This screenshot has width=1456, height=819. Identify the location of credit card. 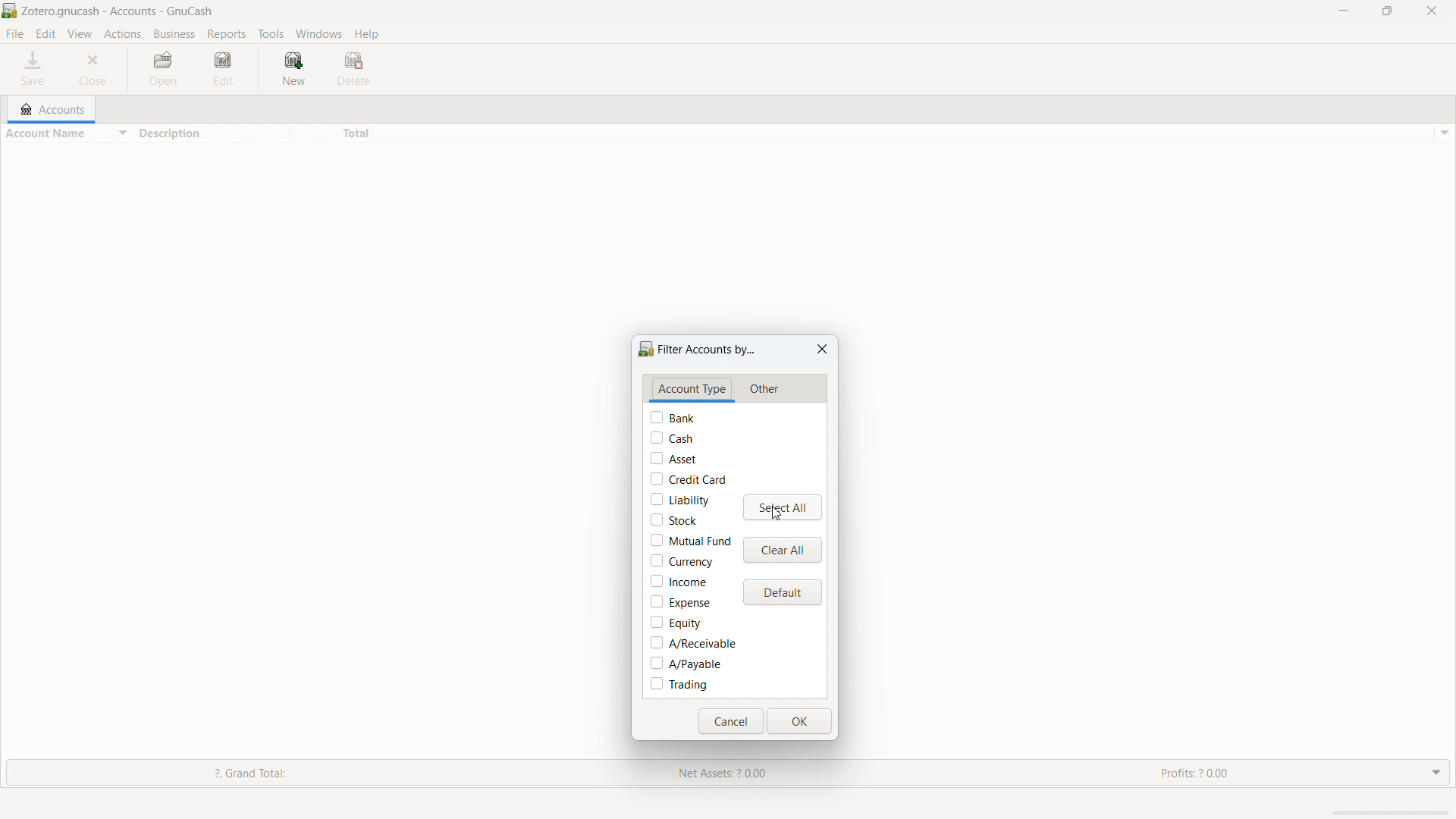
(689, 479).